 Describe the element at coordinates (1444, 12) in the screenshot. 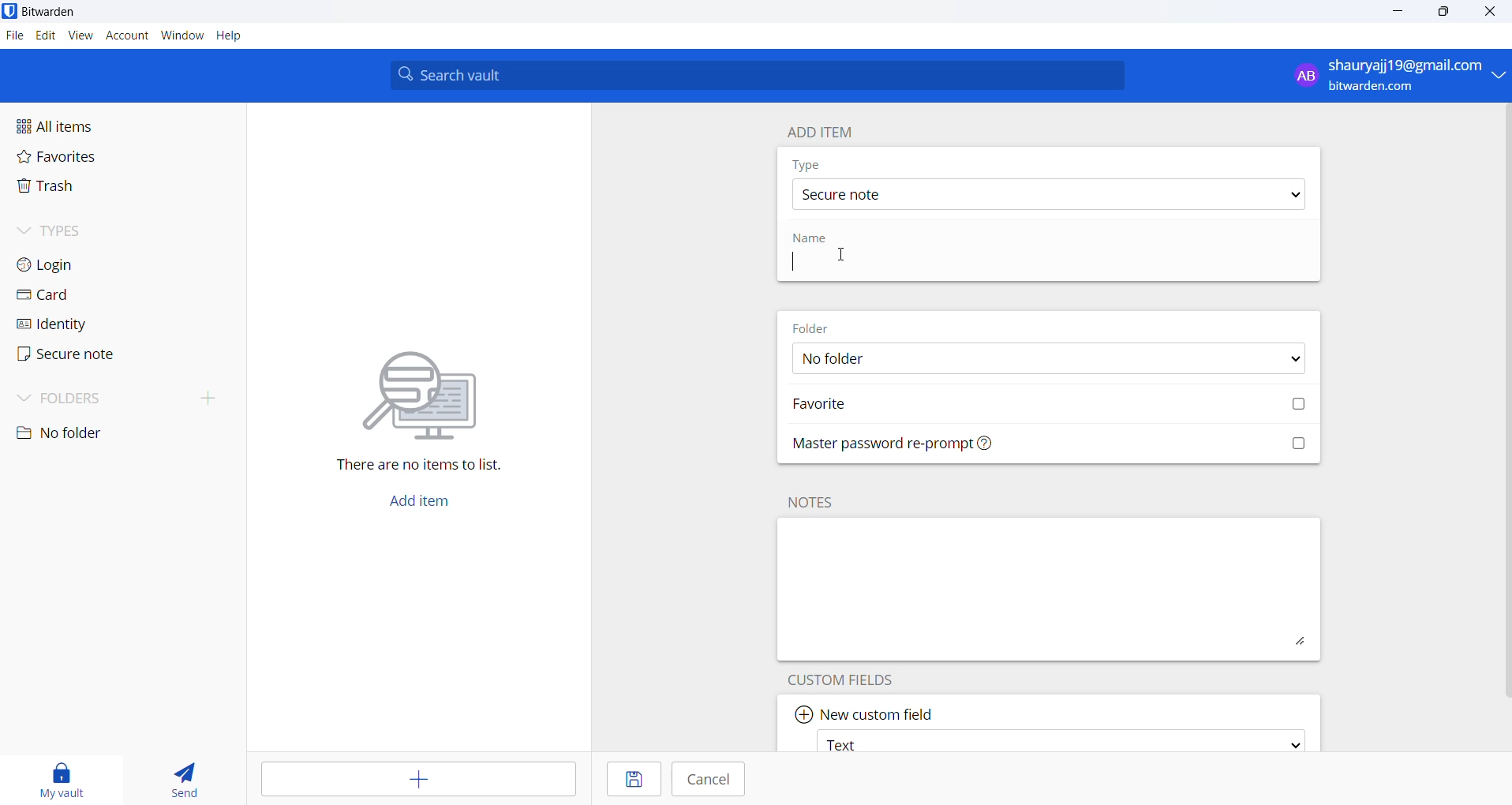

I see `maximize` at that location.